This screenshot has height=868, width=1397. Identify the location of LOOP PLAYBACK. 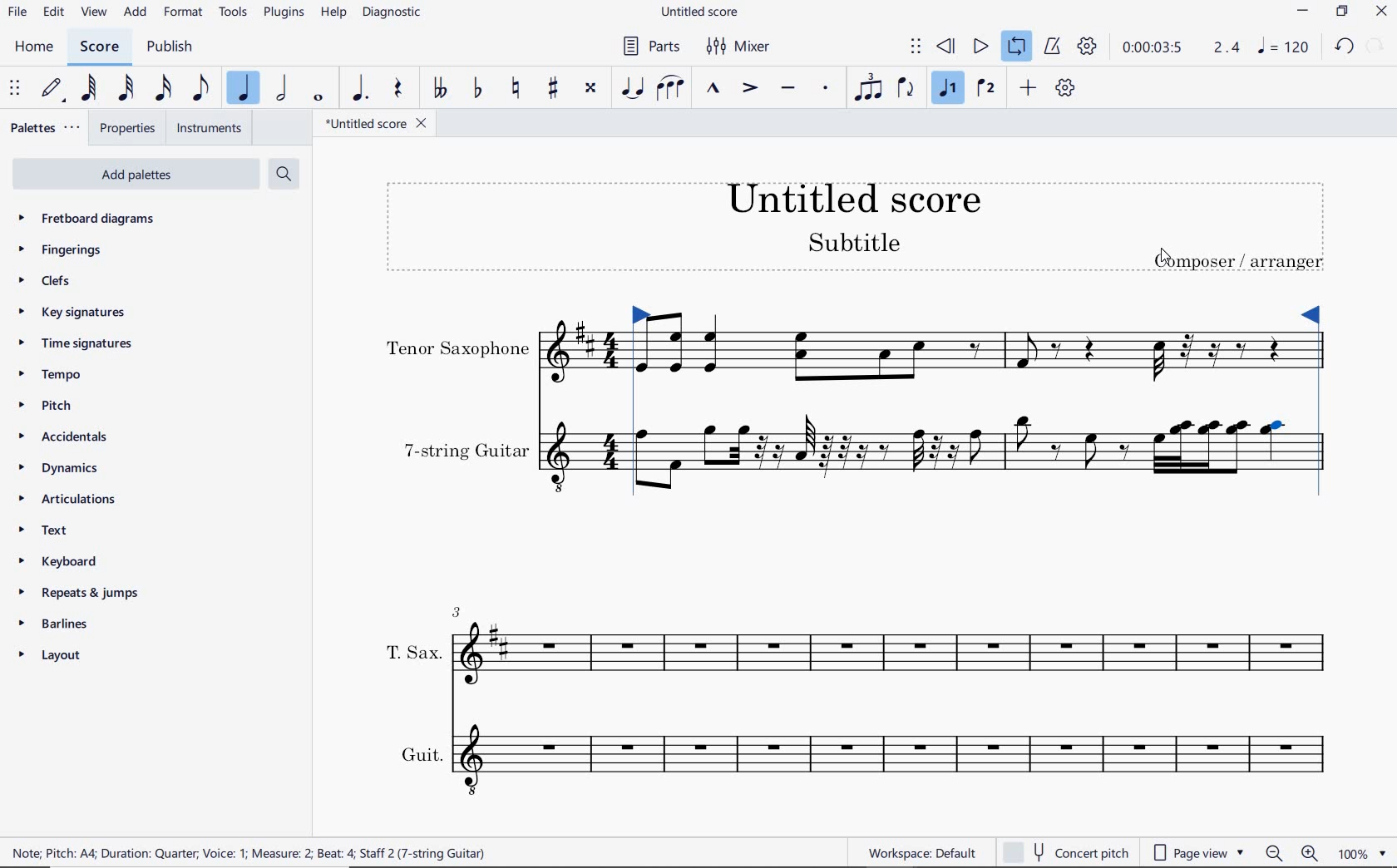
(1016, 45).